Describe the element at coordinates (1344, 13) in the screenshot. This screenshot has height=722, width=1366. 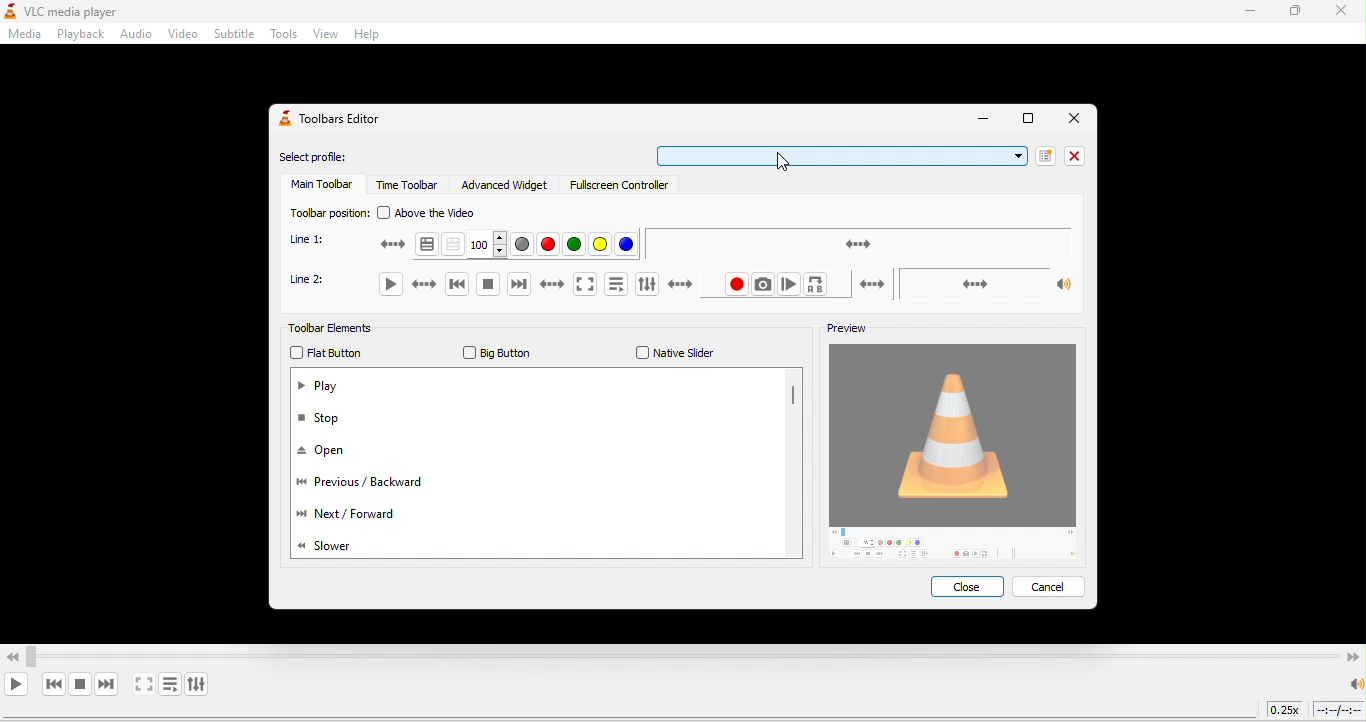
I see `close` at that location.